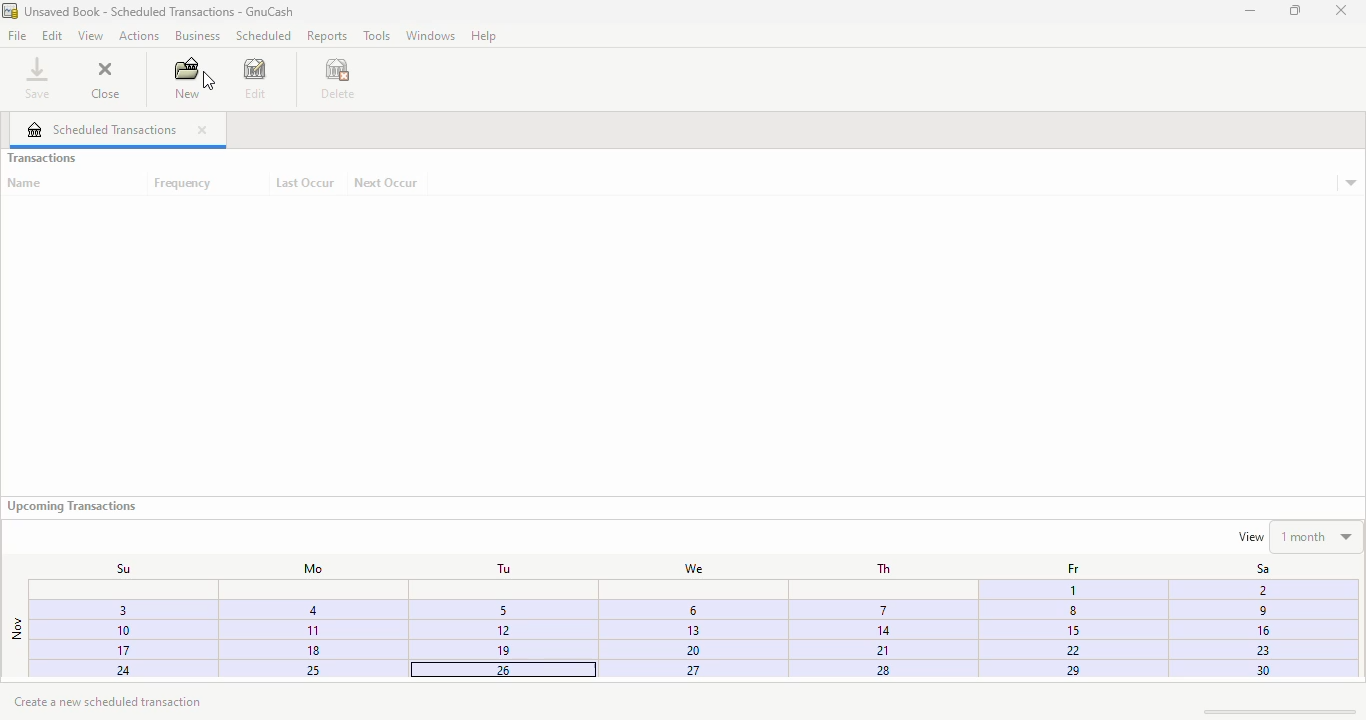 The width and height of the screenshot is (1366, 720). I want to click on 30, so click(1260, 671).